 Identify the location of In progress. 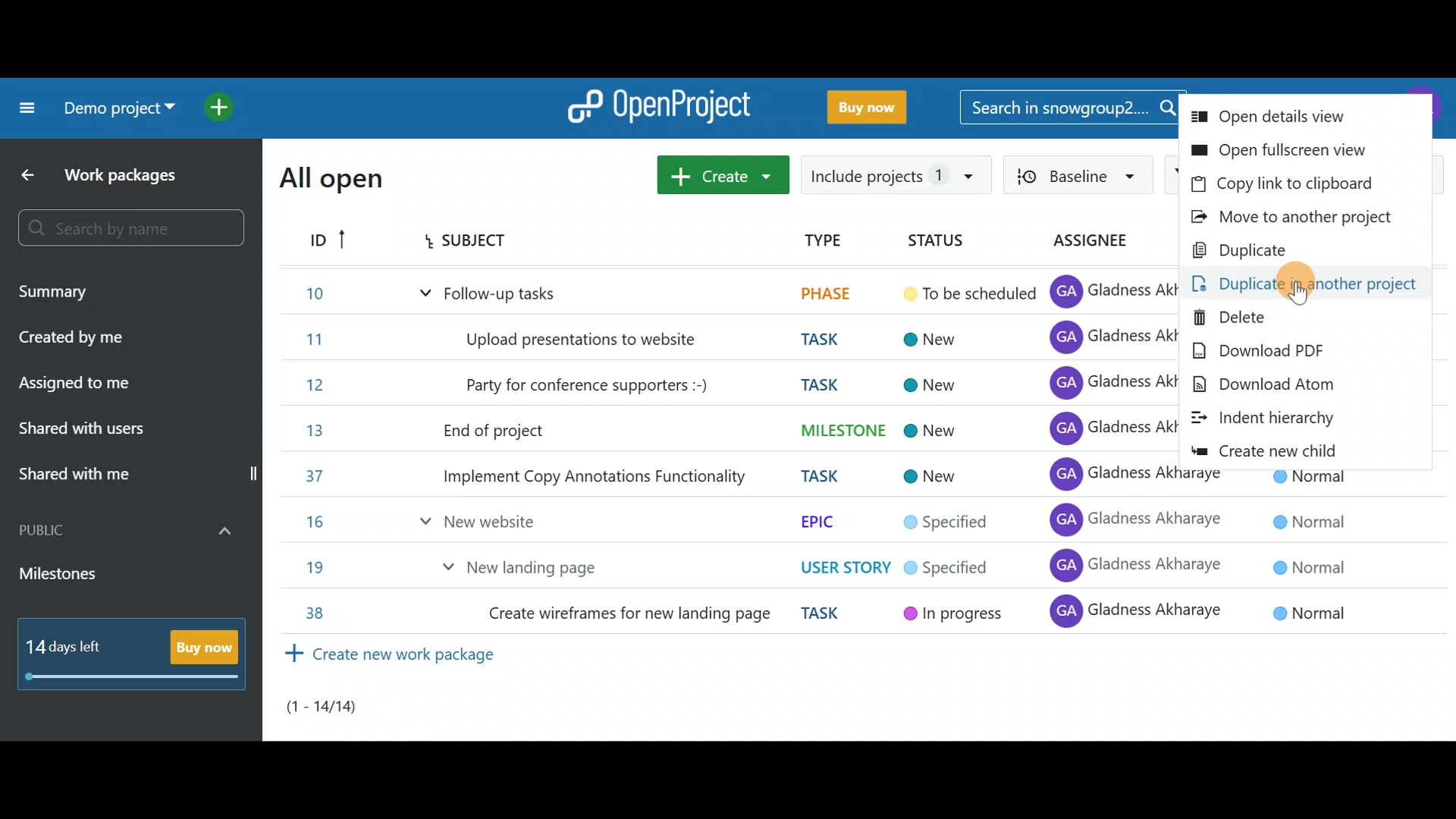
(954, 614).